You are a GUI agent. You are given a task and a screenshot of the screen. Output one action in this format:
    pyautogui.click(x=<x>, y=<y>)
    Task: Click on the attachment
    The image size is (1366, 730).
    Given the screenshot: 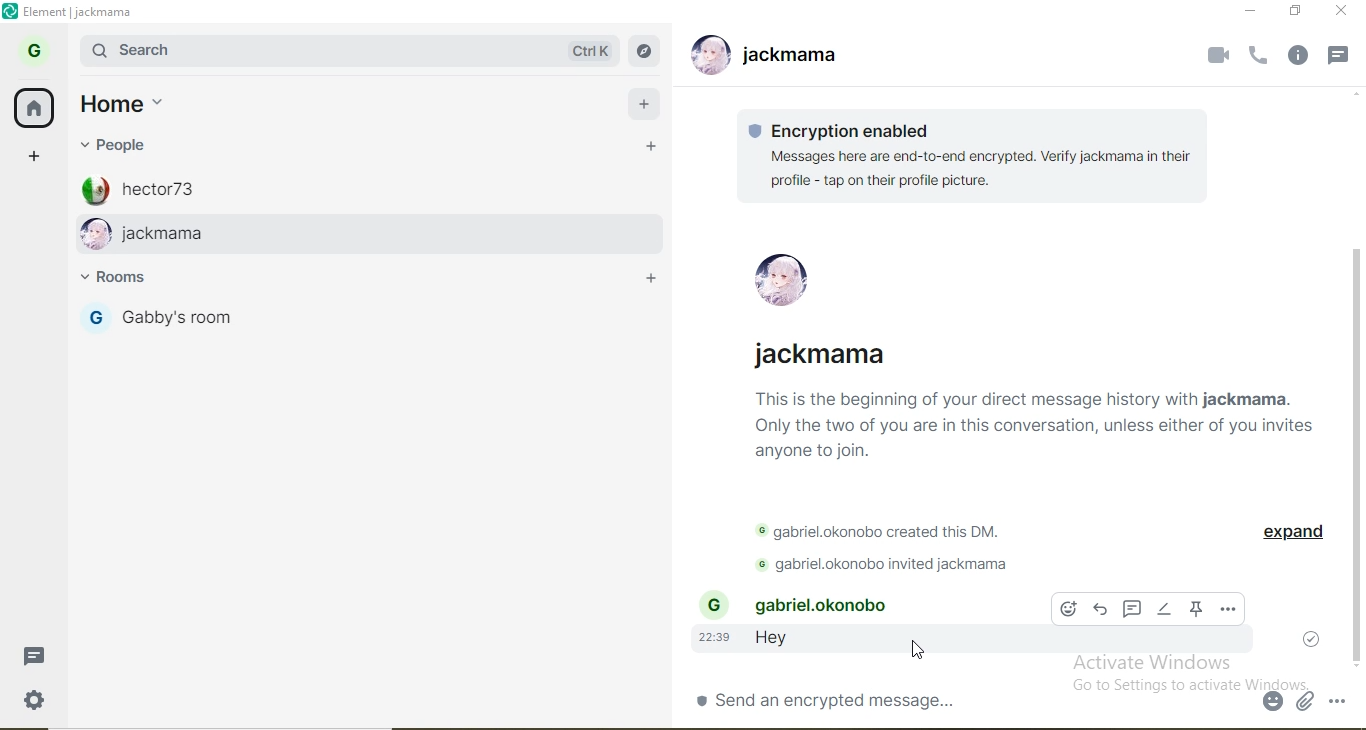 What is the action you would take?
    pyautogui.click(x=1303, y=701)
    